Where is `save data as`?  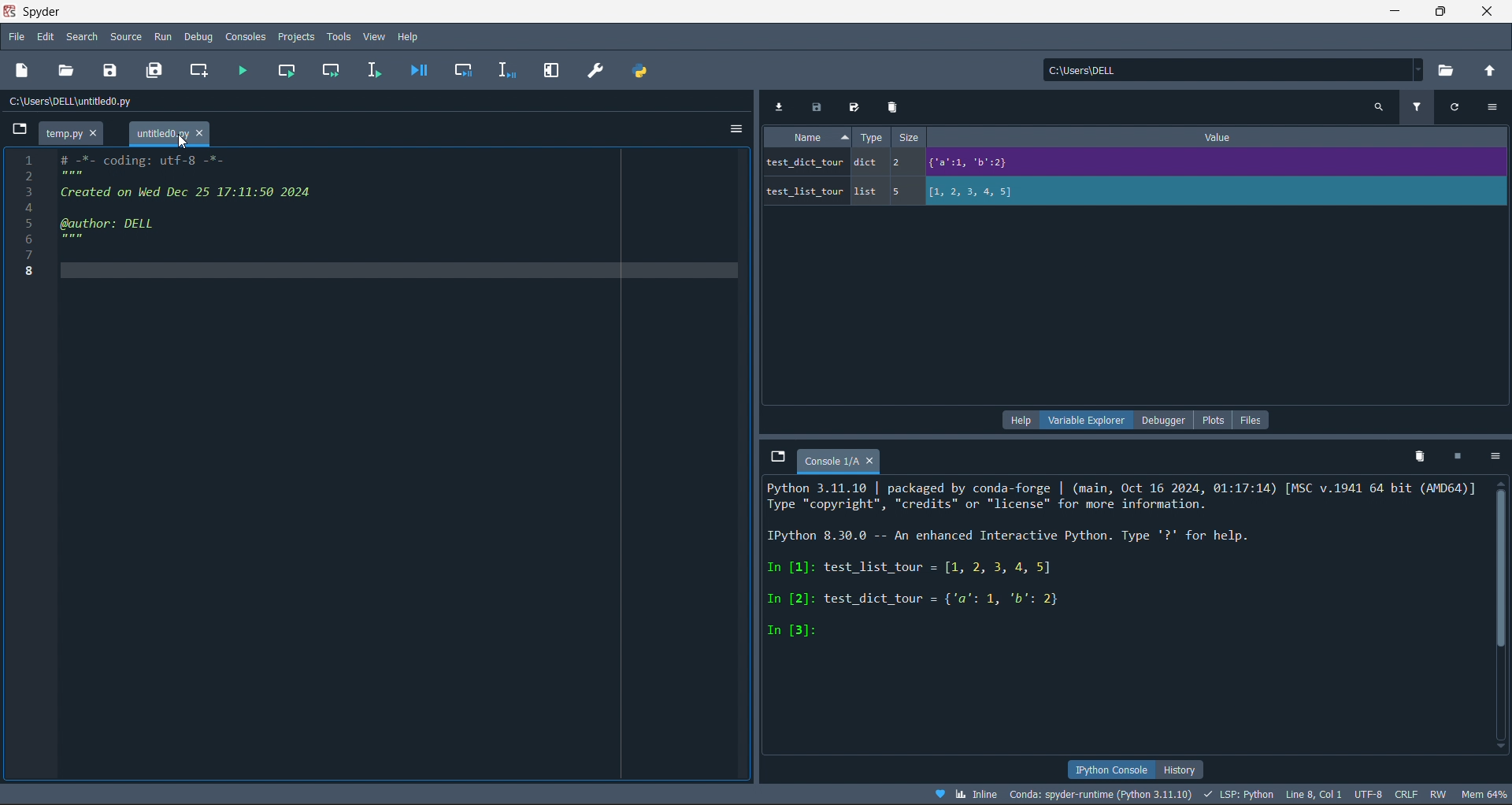
save data as is located at coordinates (854, 106).